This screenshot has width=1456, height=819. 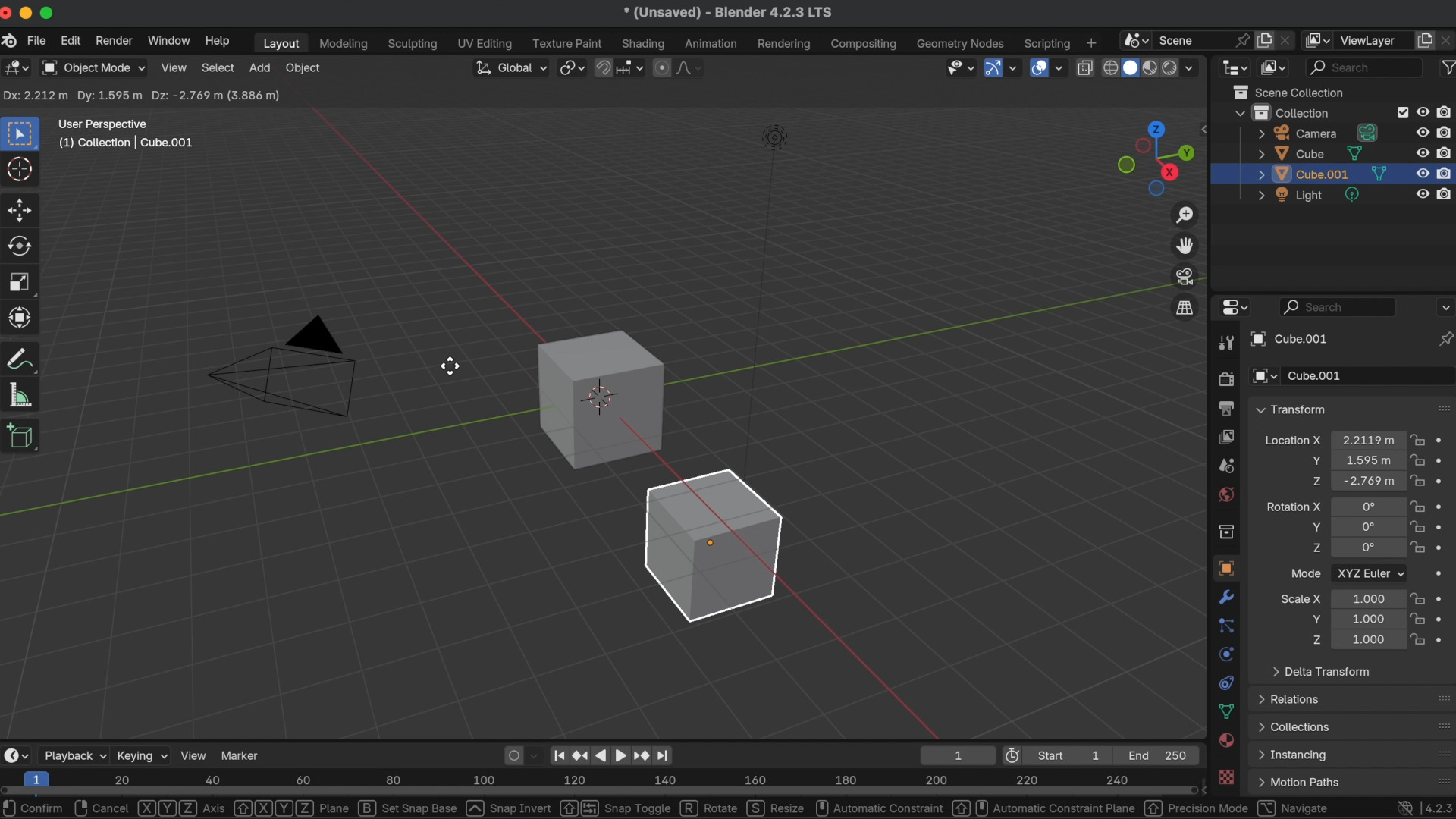 What do you see at coordinates (1321, 670) in the screenshot?
I see `delta transform` at bounding box center [1321, 670].